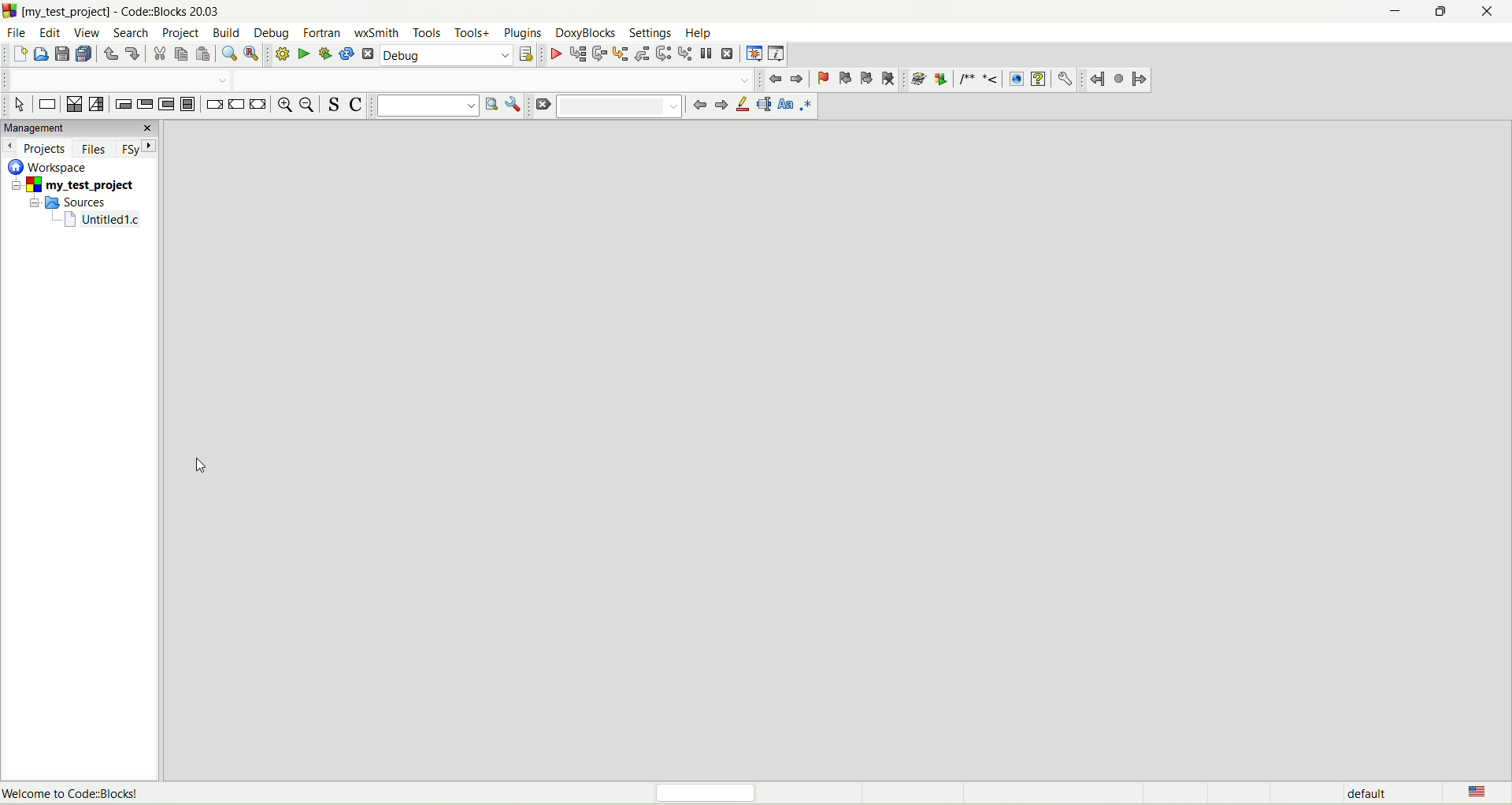 The width and height of the screenshot is (1512, 805). I want to click on rebuild, so click(346, 54).